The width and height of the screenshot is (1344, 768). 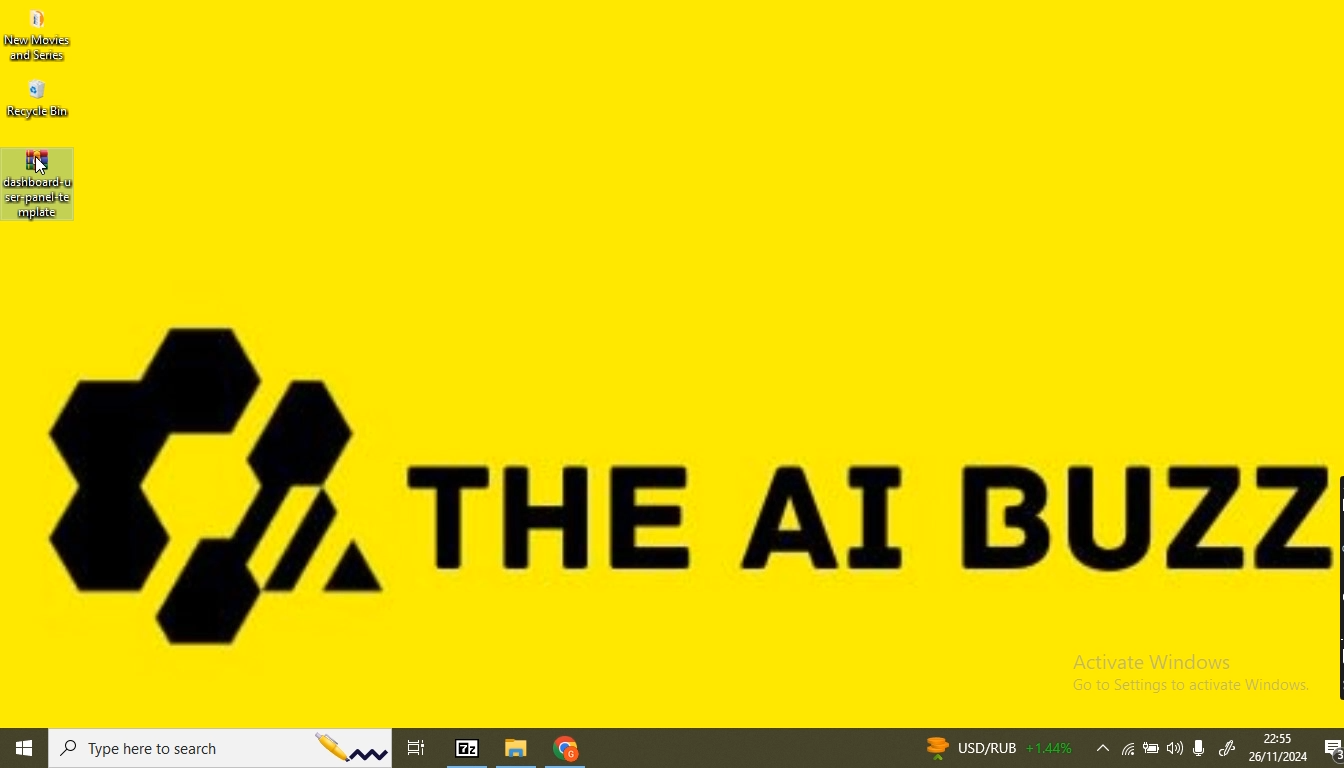 What do you see at coordinates (1330, 750) in the screenshot?
I see `notifications` at bounding box center [1330, 750].